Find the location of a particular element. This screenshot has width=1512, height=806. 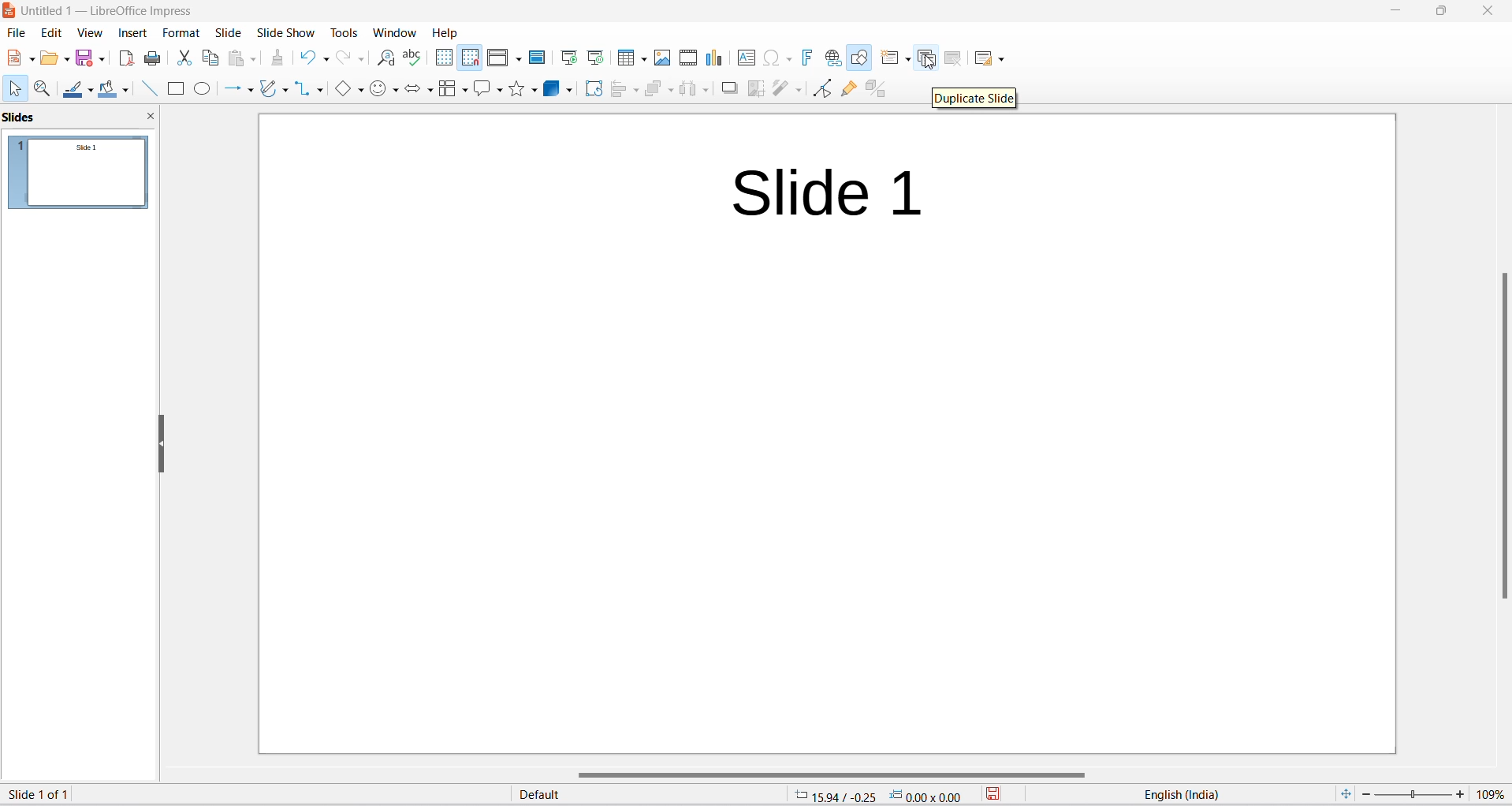

Close is located at coordinates (1487, 12).